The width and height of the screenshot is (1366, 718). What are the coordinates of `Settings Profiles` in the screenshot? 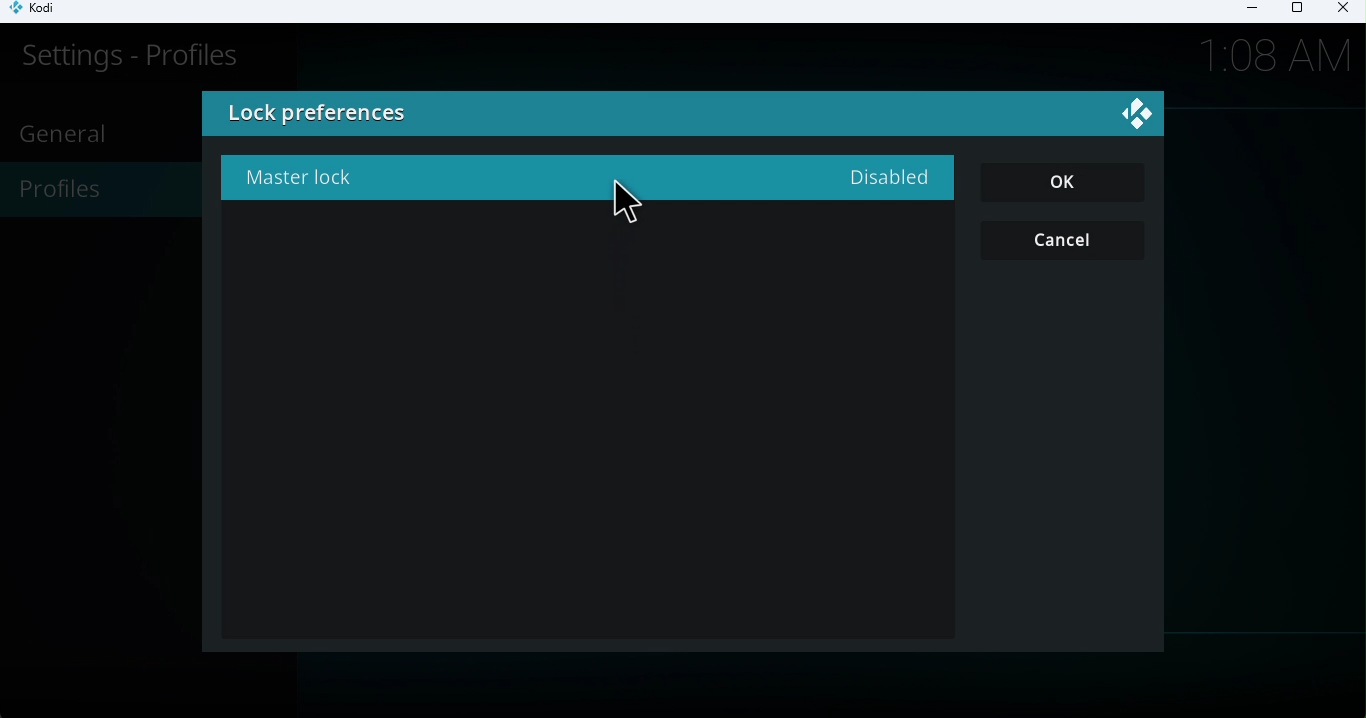 It's located at (127, 56).